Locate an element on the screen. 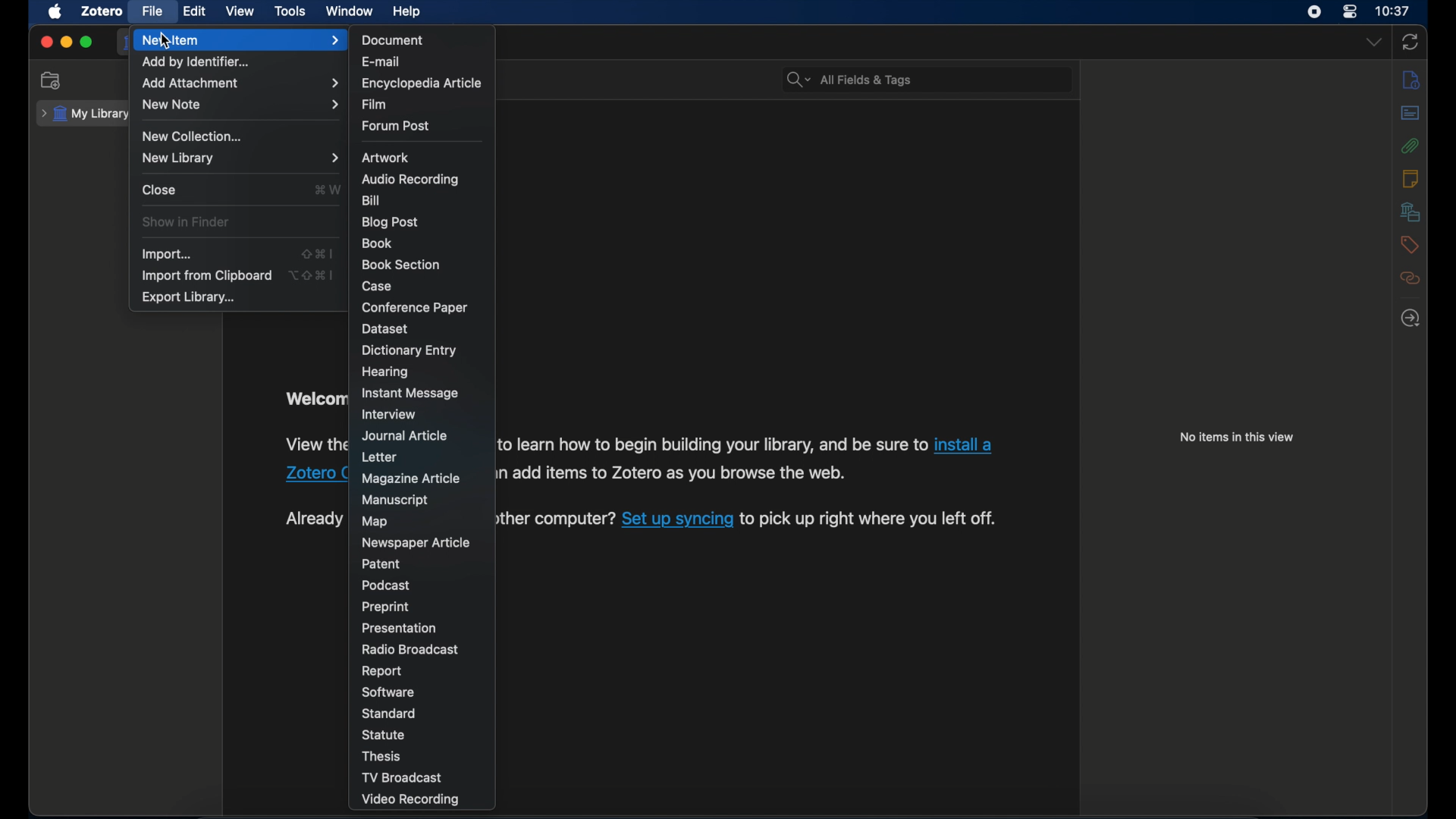 This screenshot has height=819, width=1456. software information is located at coordinates (315, 447).